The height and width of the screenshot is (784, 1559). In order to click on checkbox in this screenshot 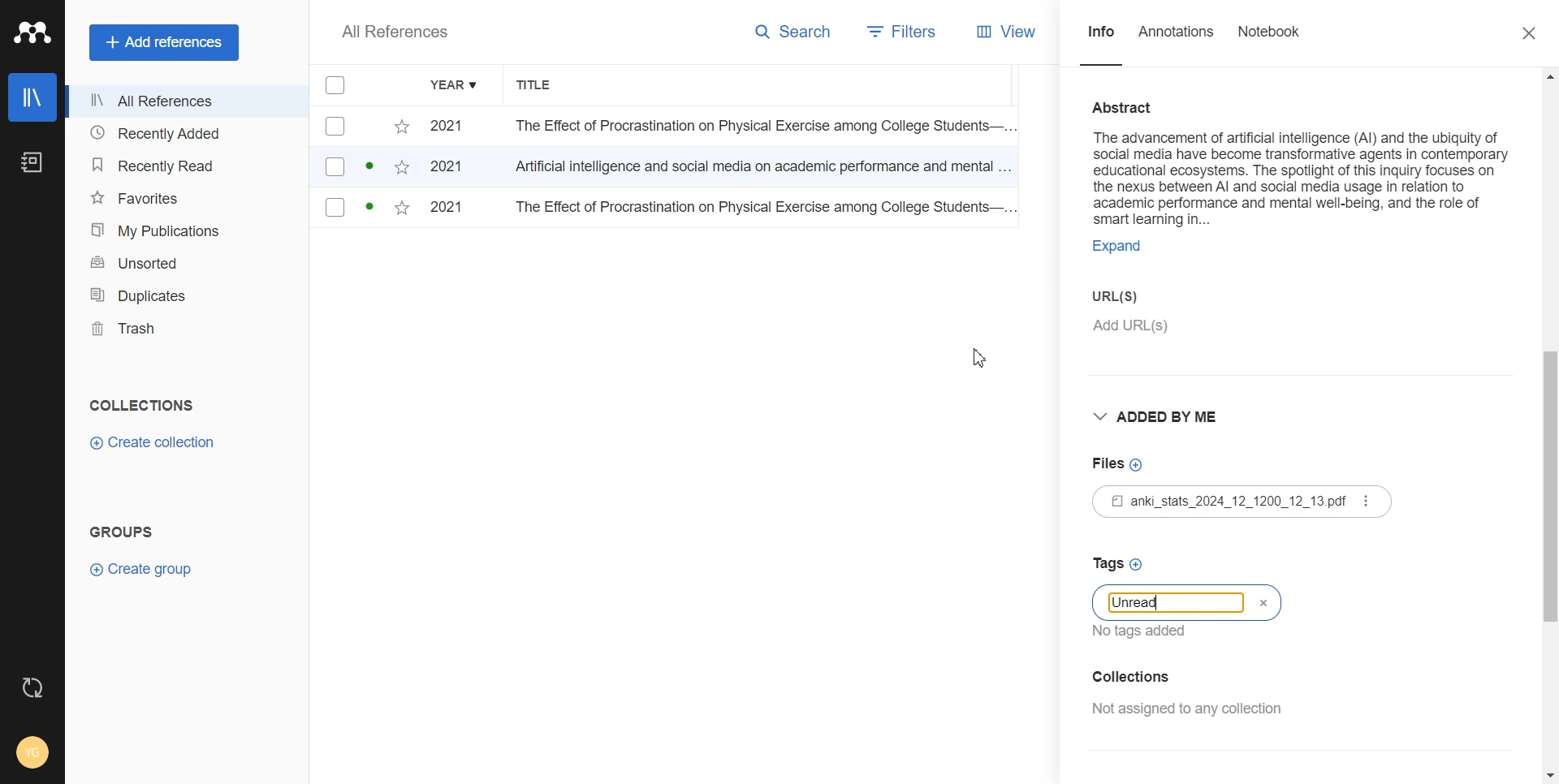, I will do `click(363, 168)`.